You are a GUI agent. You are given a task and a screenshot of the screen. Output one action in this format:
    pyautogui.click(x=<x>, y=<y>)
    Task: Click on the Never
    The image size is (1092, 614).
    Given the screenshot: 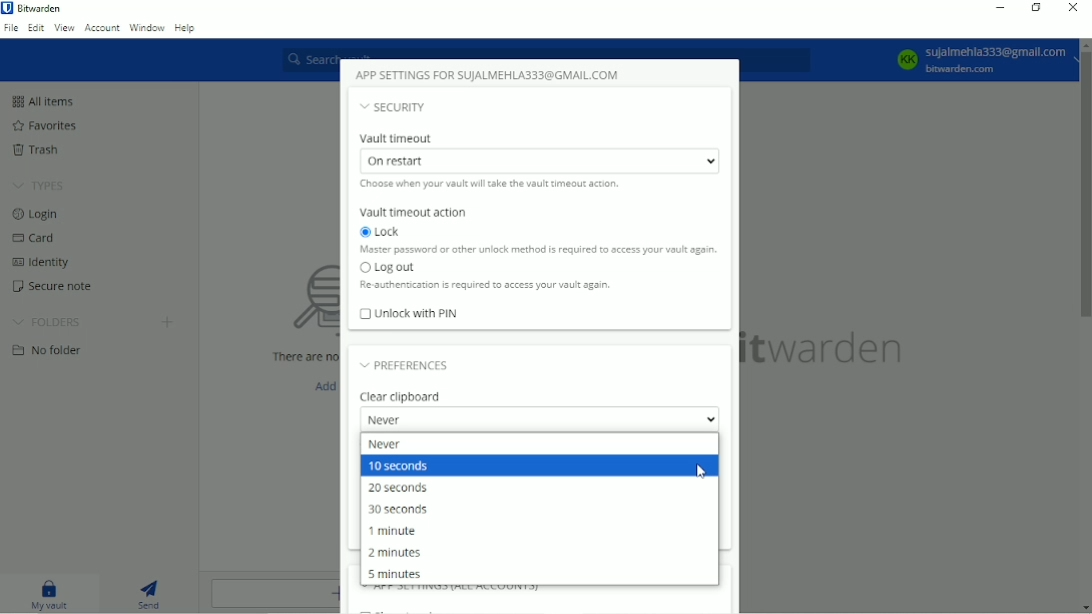 What is the action you would take?
    pyautogui.click(x=538, y=421)
    